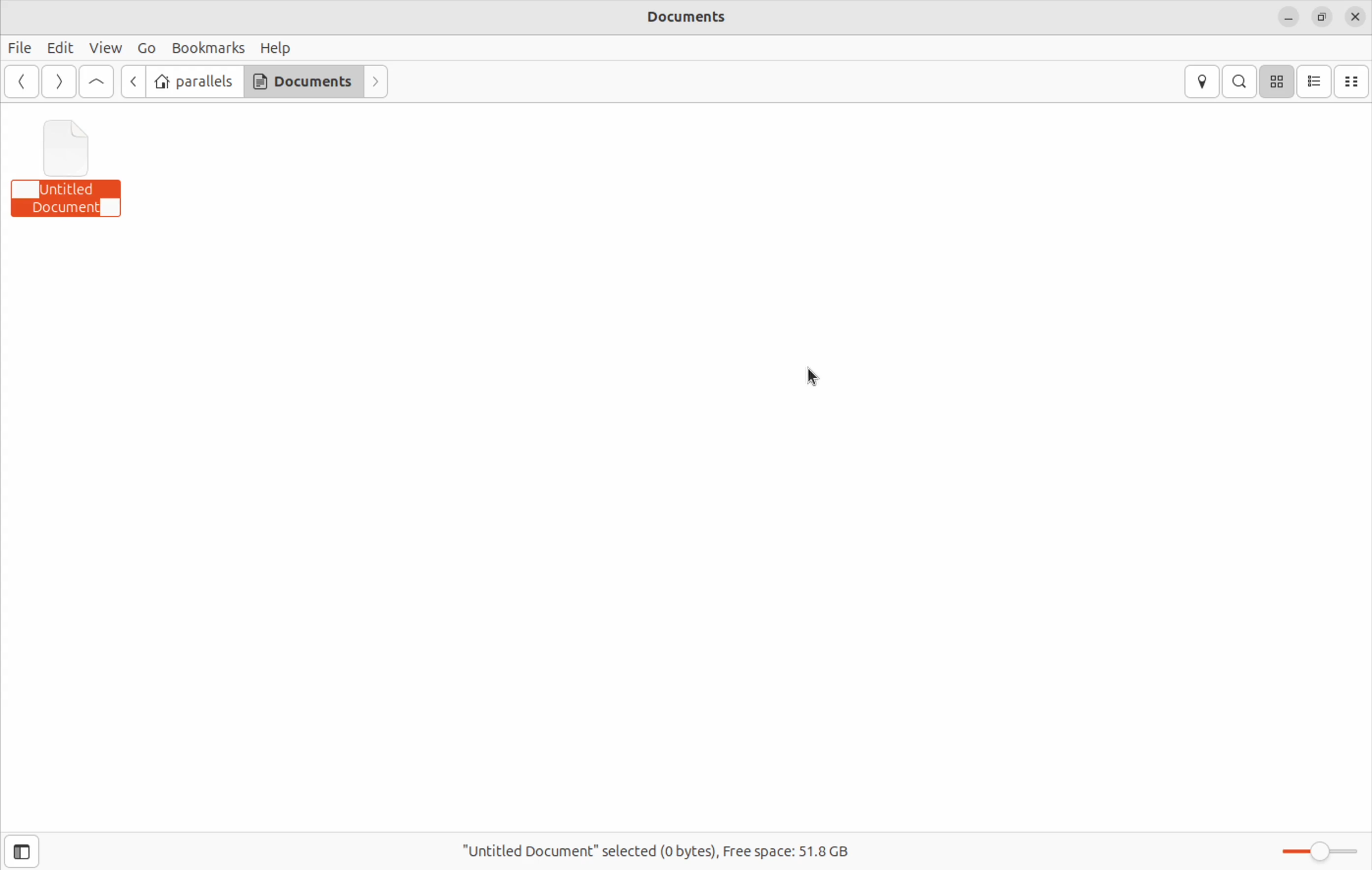 The image size is (1372, 870). What do you see at coordinates (667, 847) in the screenshot?
I see `"Untitled Document" selected(0 bytes), Free space: 51.8 GB` at bounding box center [667, 847].